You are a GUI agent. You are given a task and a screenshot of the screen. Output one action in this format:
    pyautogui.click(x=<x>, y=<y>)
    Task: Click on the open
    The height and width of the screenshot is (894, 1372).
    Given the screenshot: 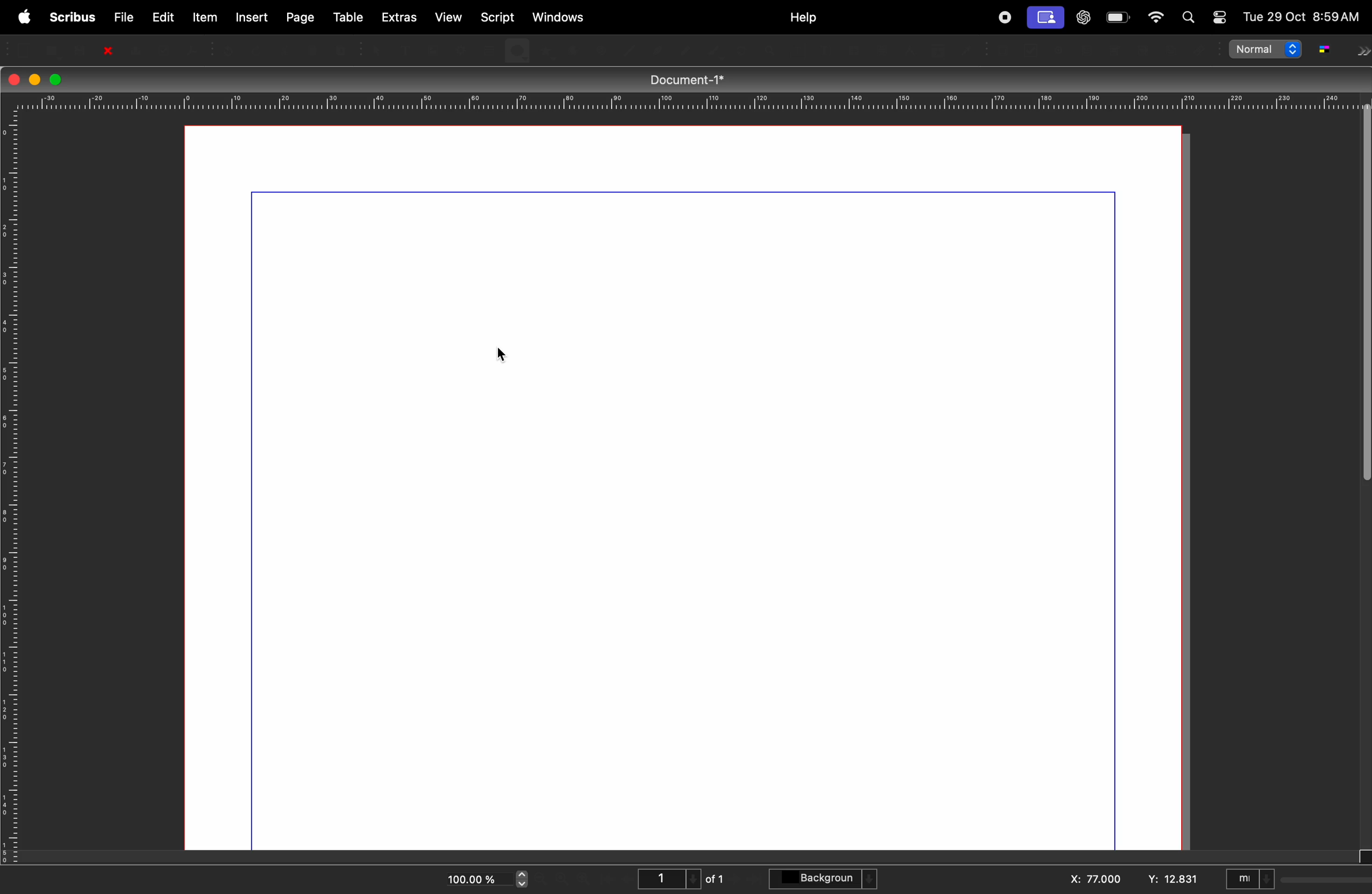 What is the action you would take?
    pyautogui.click(x=54, y=48)
    